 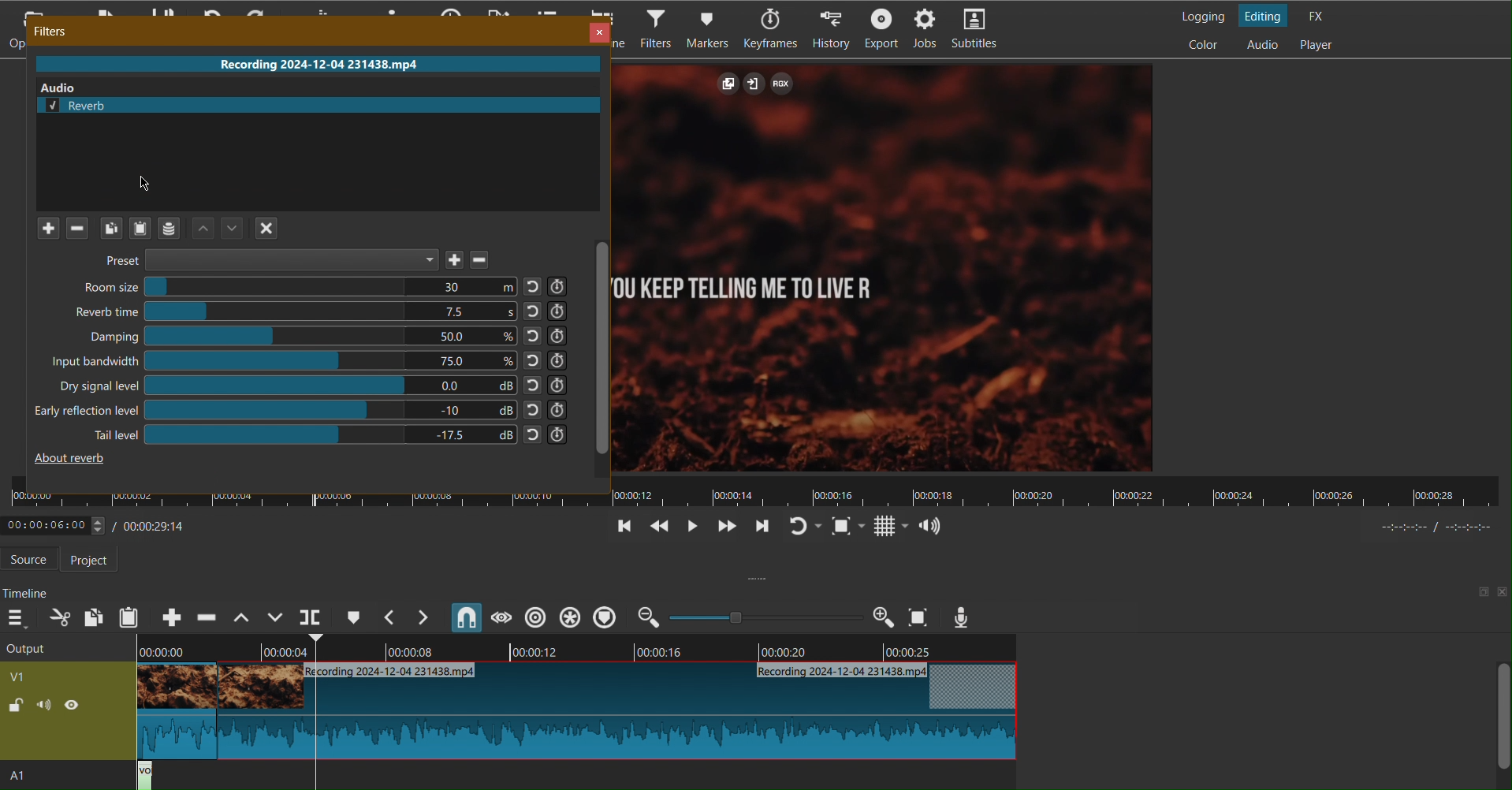 I want to click on Append, so click(x=173, y=617).